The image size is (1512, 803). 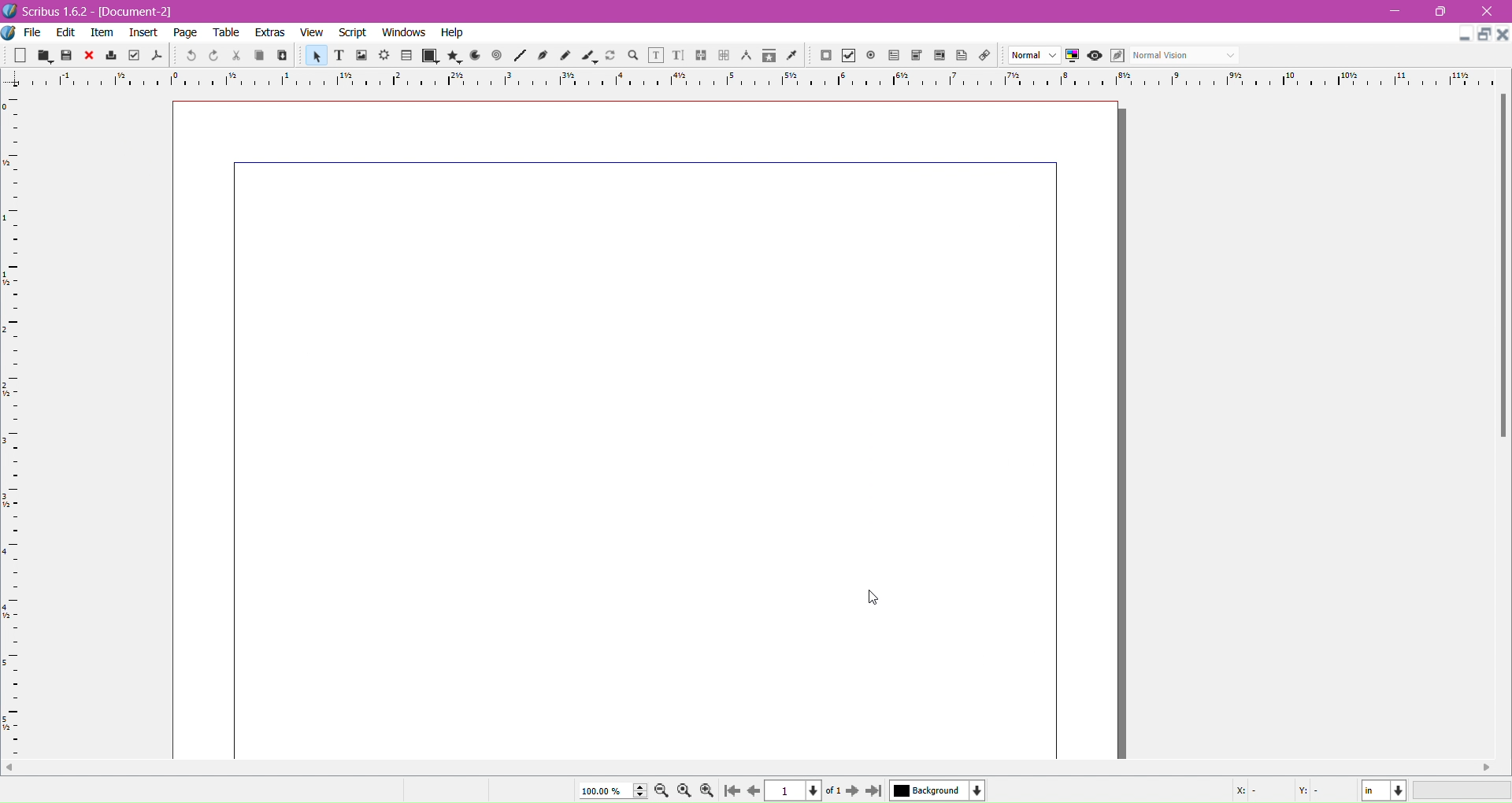 What do you see at coordinates (1503, 36) in the screenshot?
I see `close` at bounding box center [1503, 36].